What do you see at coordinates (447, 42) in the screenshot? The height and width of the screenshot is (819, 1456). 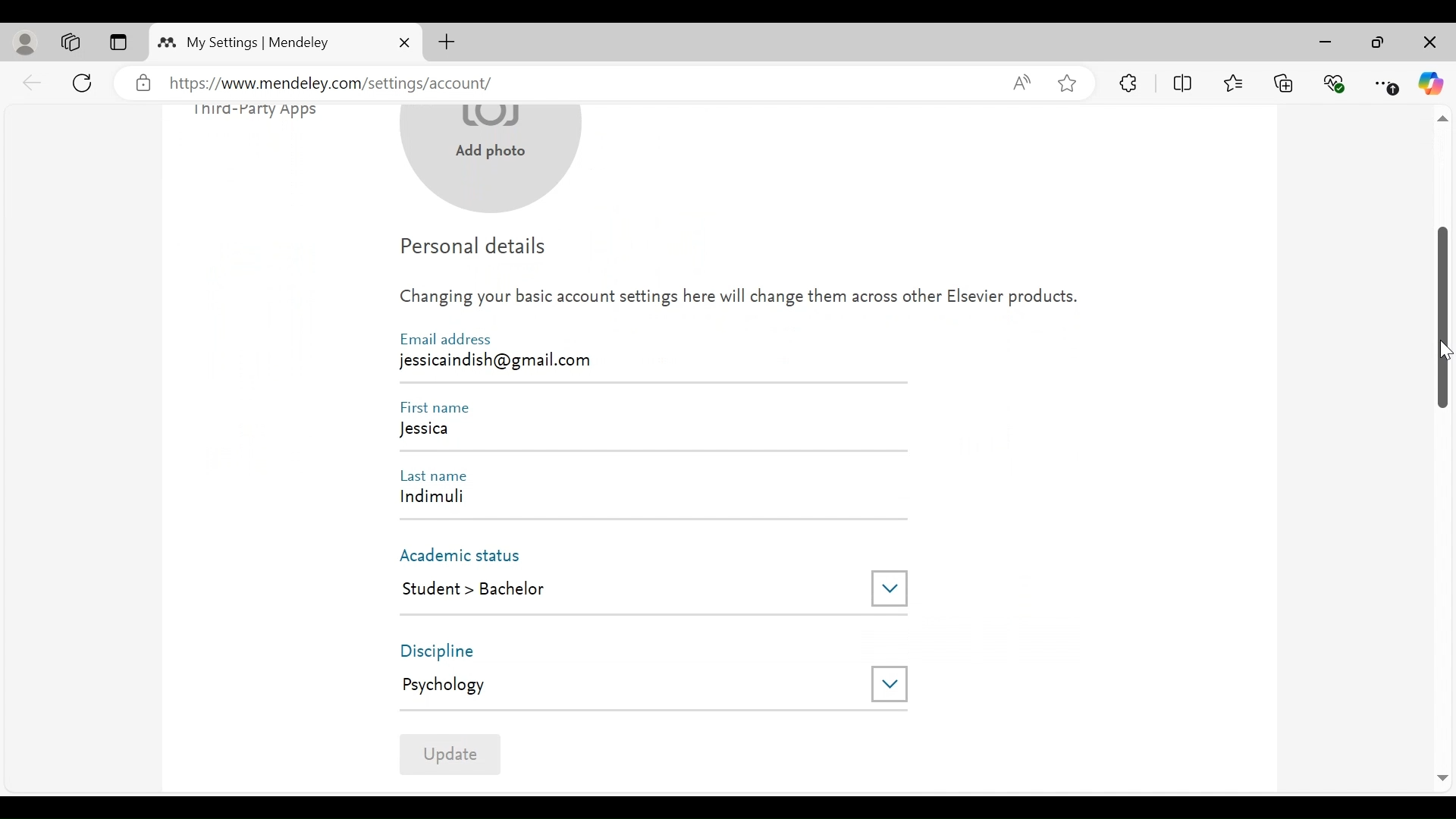 I see `New Tab` at bounding box center [447, 42].